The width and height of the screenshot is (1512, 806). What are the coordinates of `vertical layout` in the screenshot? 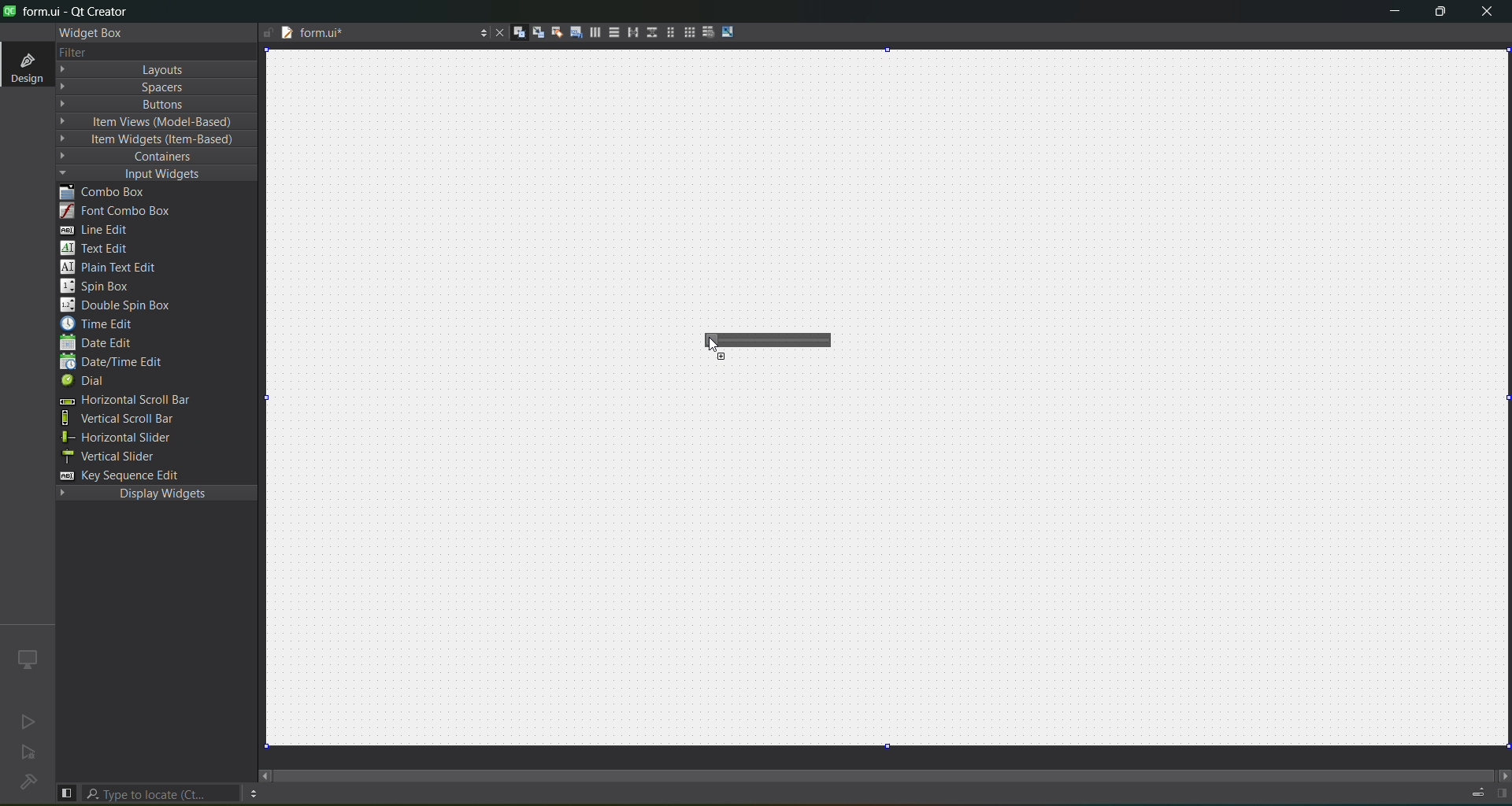 It's located at (612, 32).